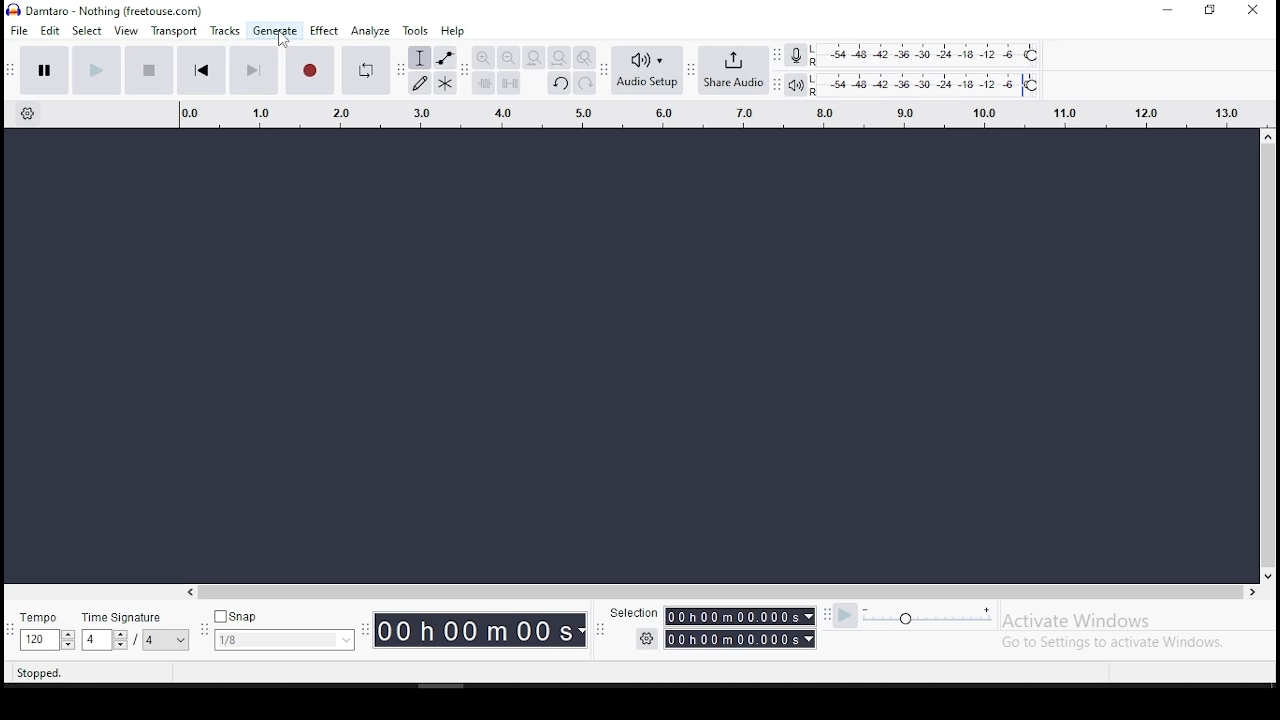  What do you see at coordinates (467, 74) in the screenshot?
I see `open menu` at bounding box center [467, 74].